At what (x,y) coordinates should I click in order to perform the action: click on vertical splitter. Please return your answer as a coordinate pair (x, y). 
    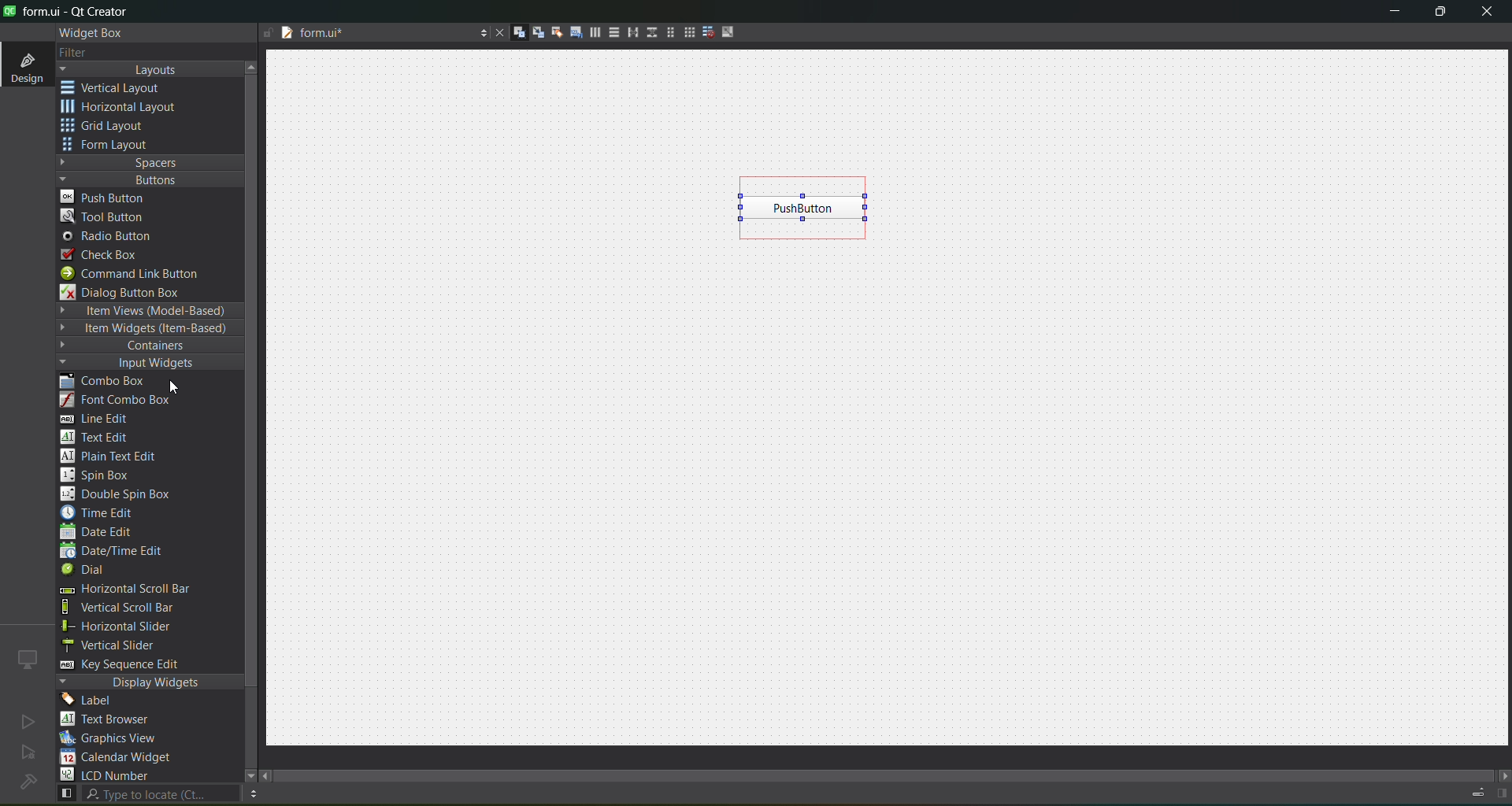
    Looking at the image, I should click on (650, 35).